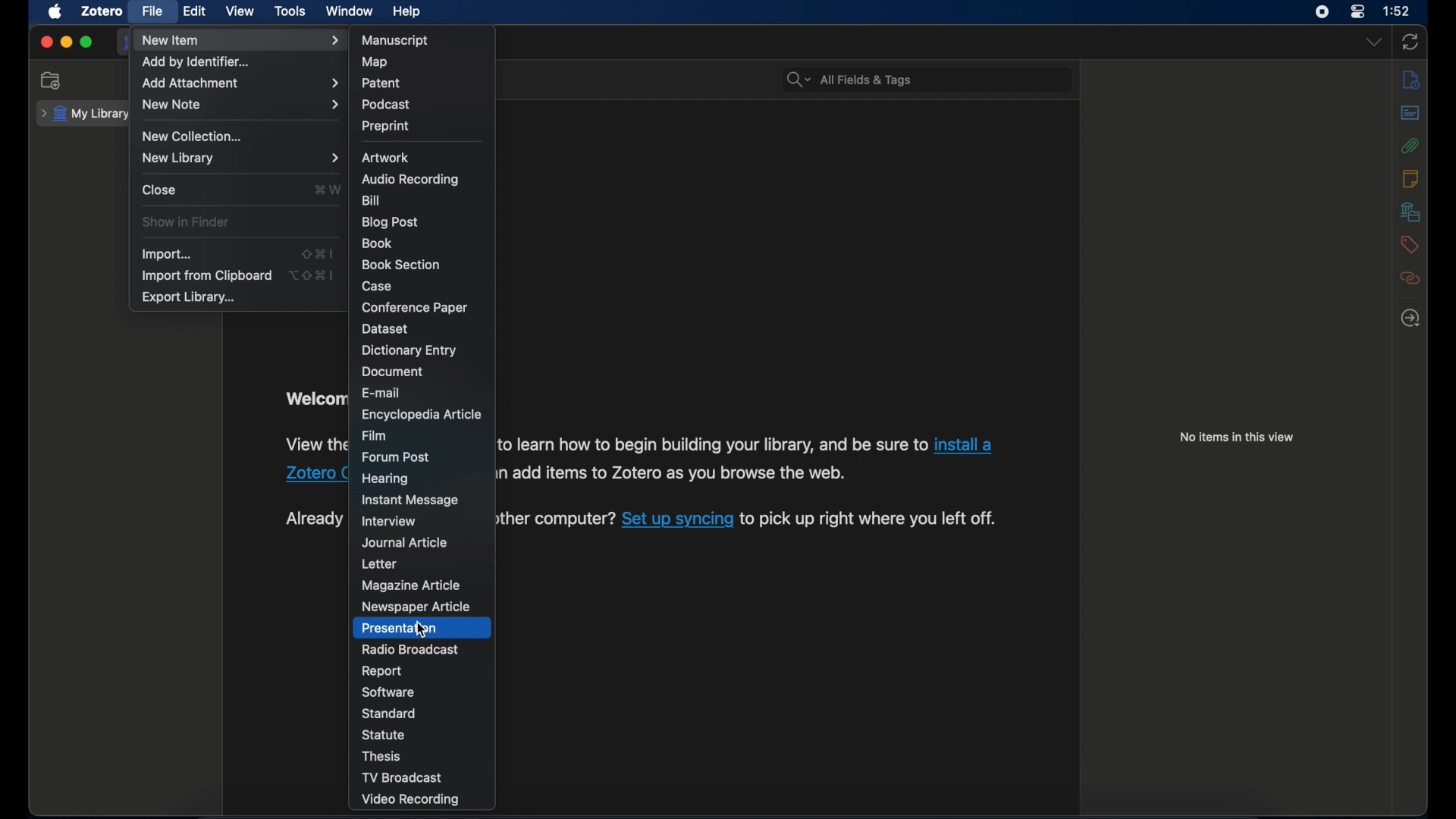 This screenshot has height=819, width=1456. Describe the element at coordinates (965, 444) in the screenshot. I see `install a` at that location.